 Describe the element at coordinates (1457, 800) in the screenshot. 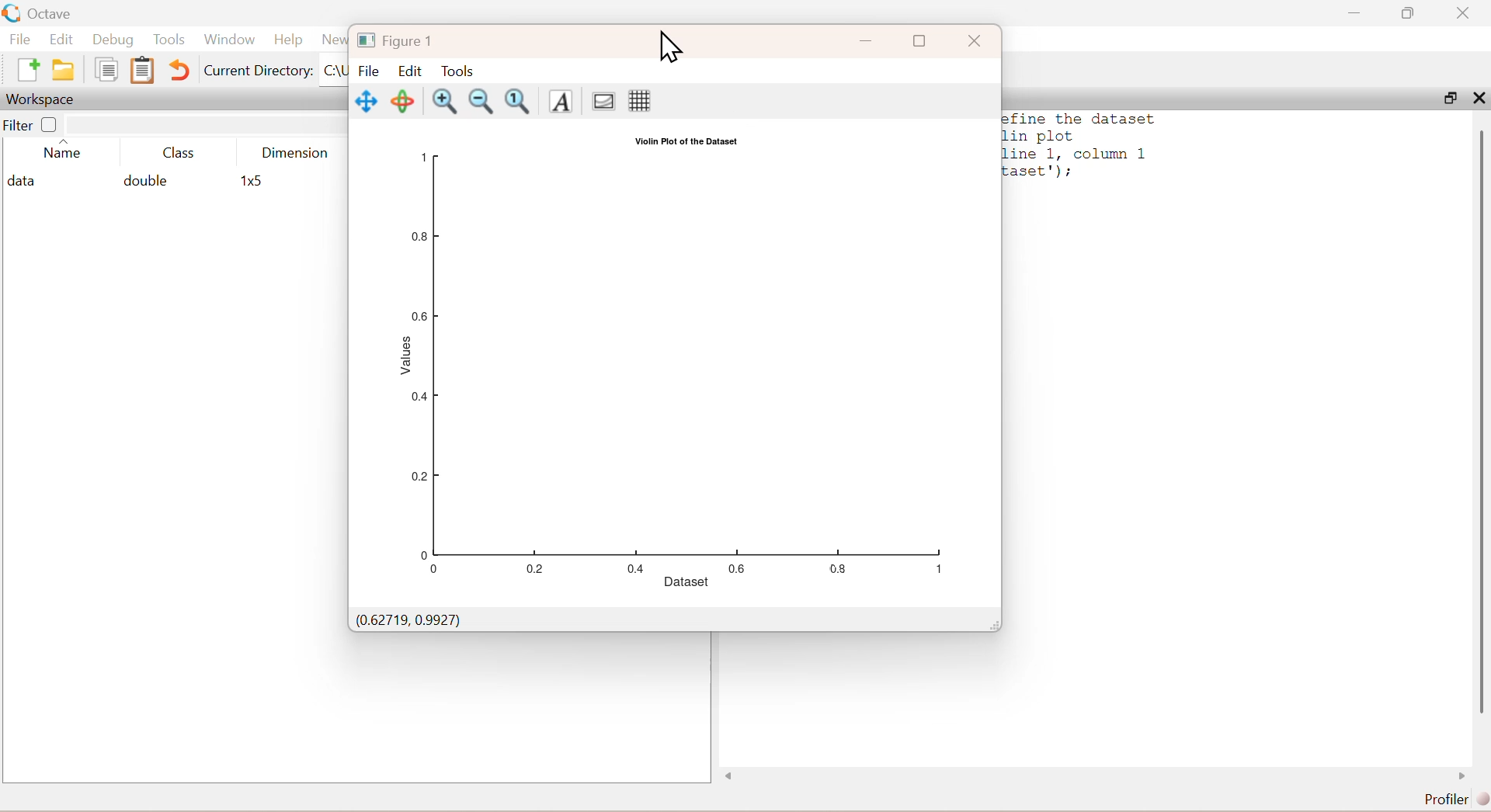

I see `Profiler` at that location.